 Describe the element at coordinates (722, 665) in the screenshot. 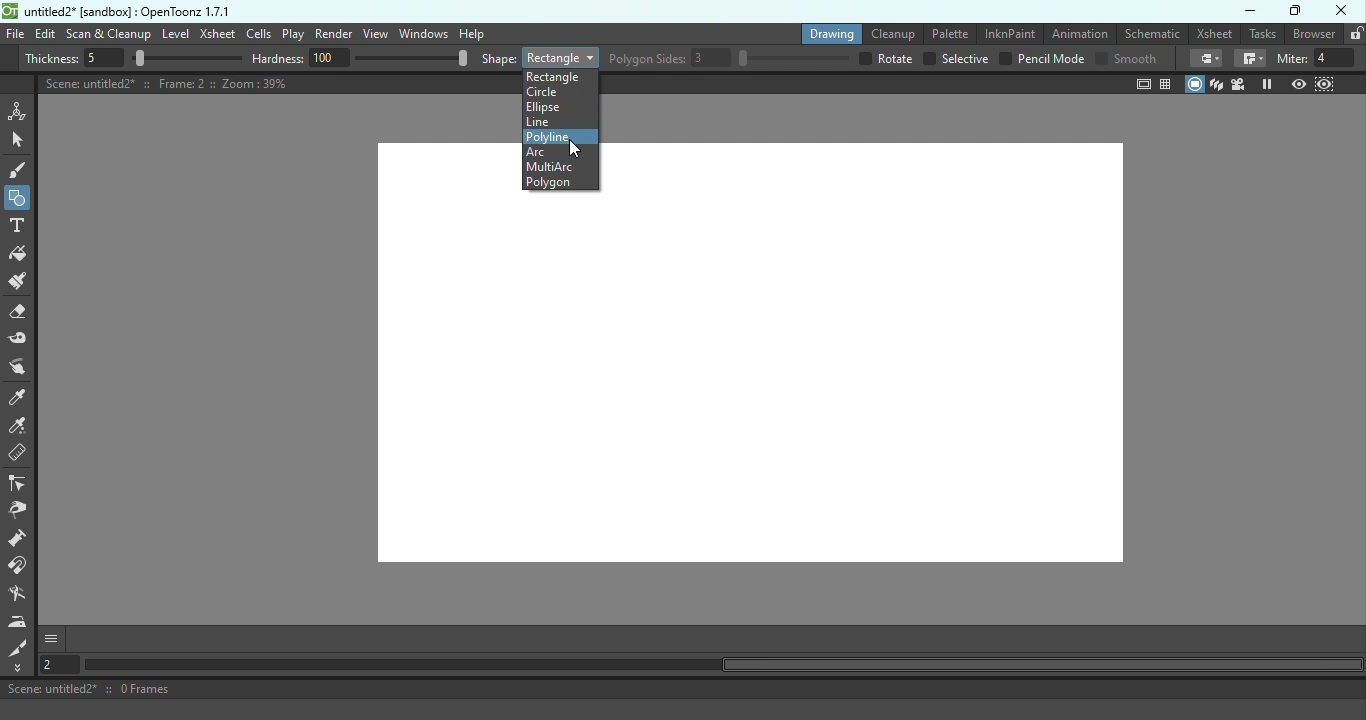

I see `Horizontal scroll bar` at that location.